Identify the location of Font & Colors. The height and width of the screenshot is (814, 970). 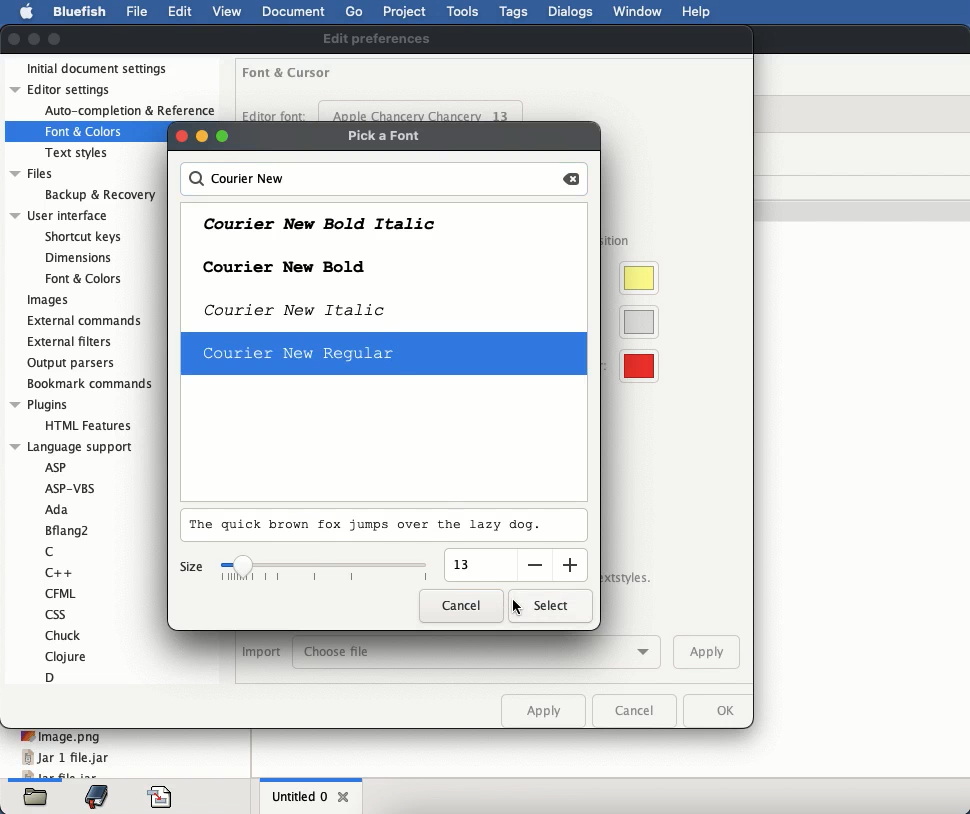
(85, 133).